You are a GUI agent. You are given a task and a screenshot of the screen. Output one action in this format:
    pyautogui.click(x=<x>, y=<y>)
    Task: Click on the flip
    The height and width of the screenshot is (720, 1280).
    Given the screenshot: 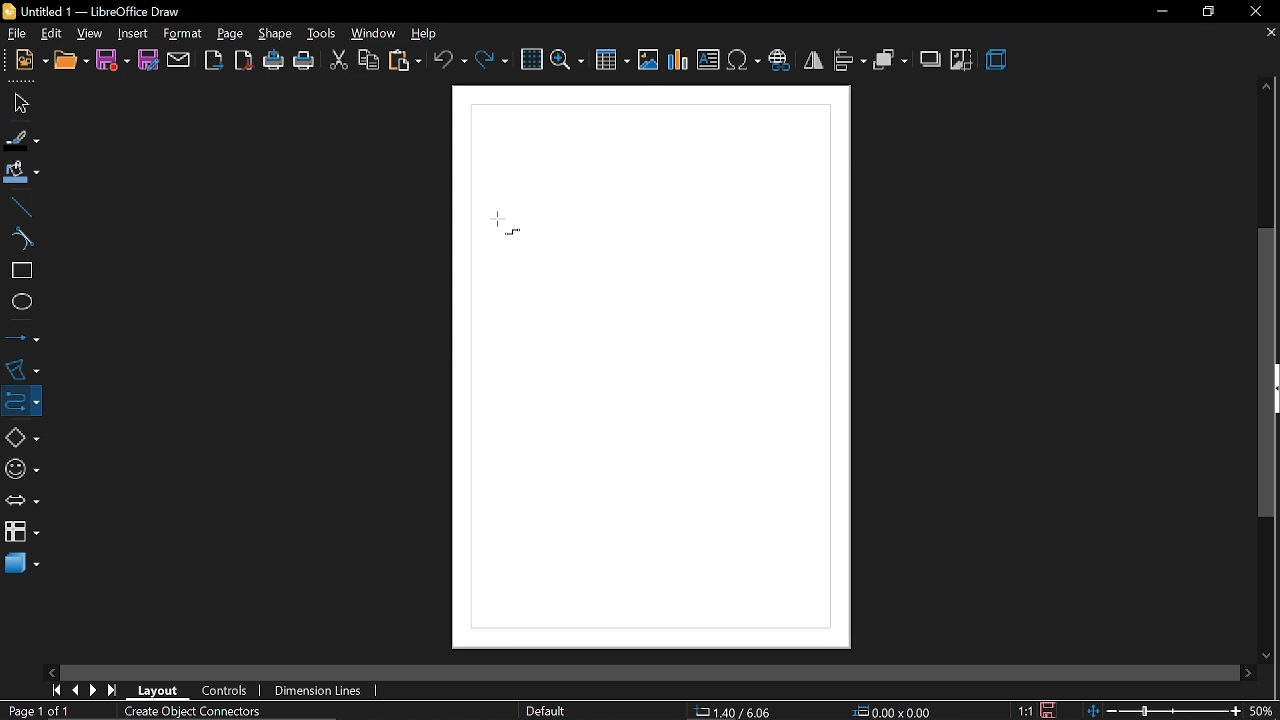 What is the action you would take?
    pyautogui.click(x=812, y=61)
    